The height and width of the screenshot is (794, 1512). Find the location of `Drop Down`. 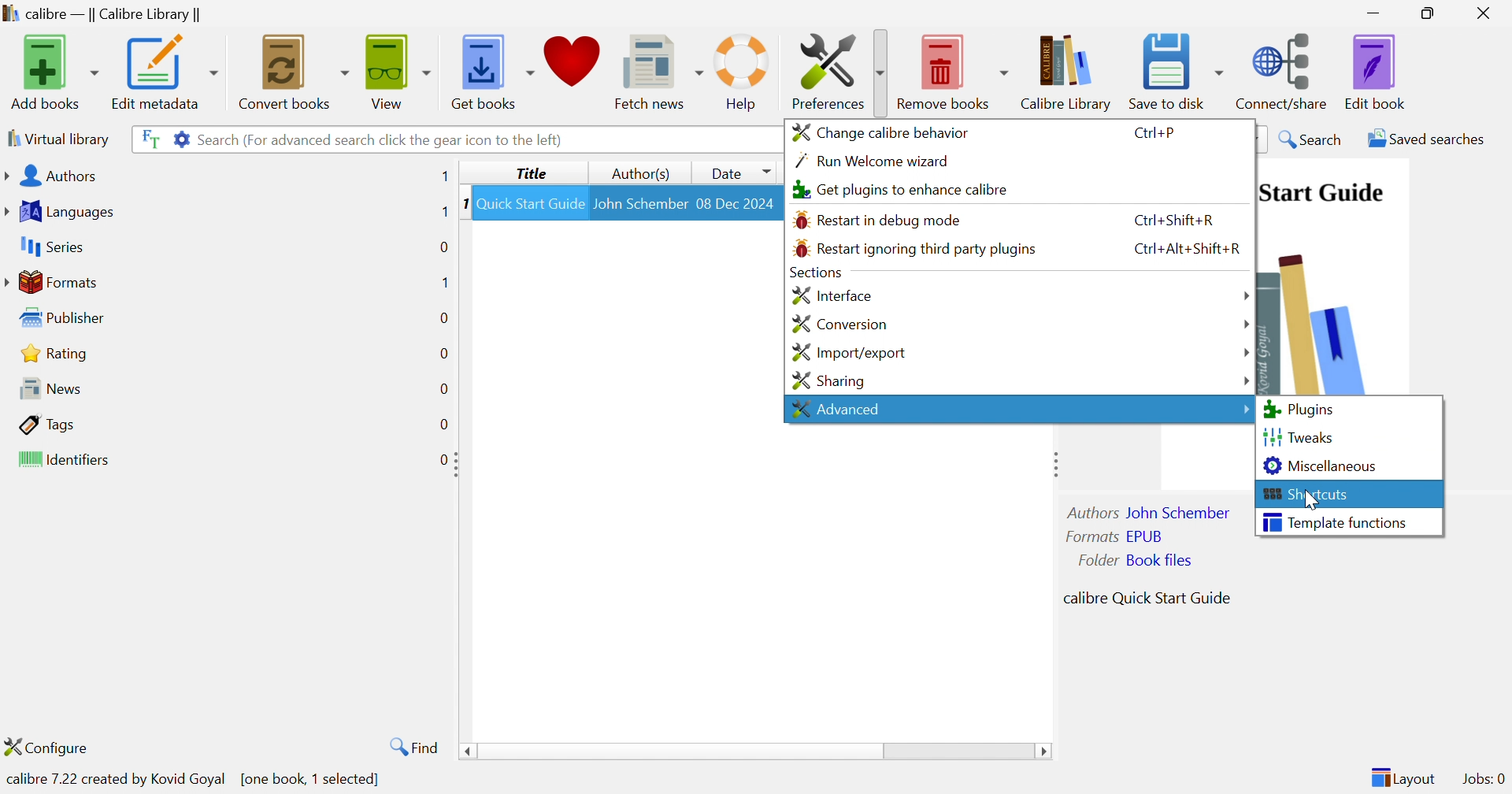

Drop Down is located at coordinates (1247, 379).